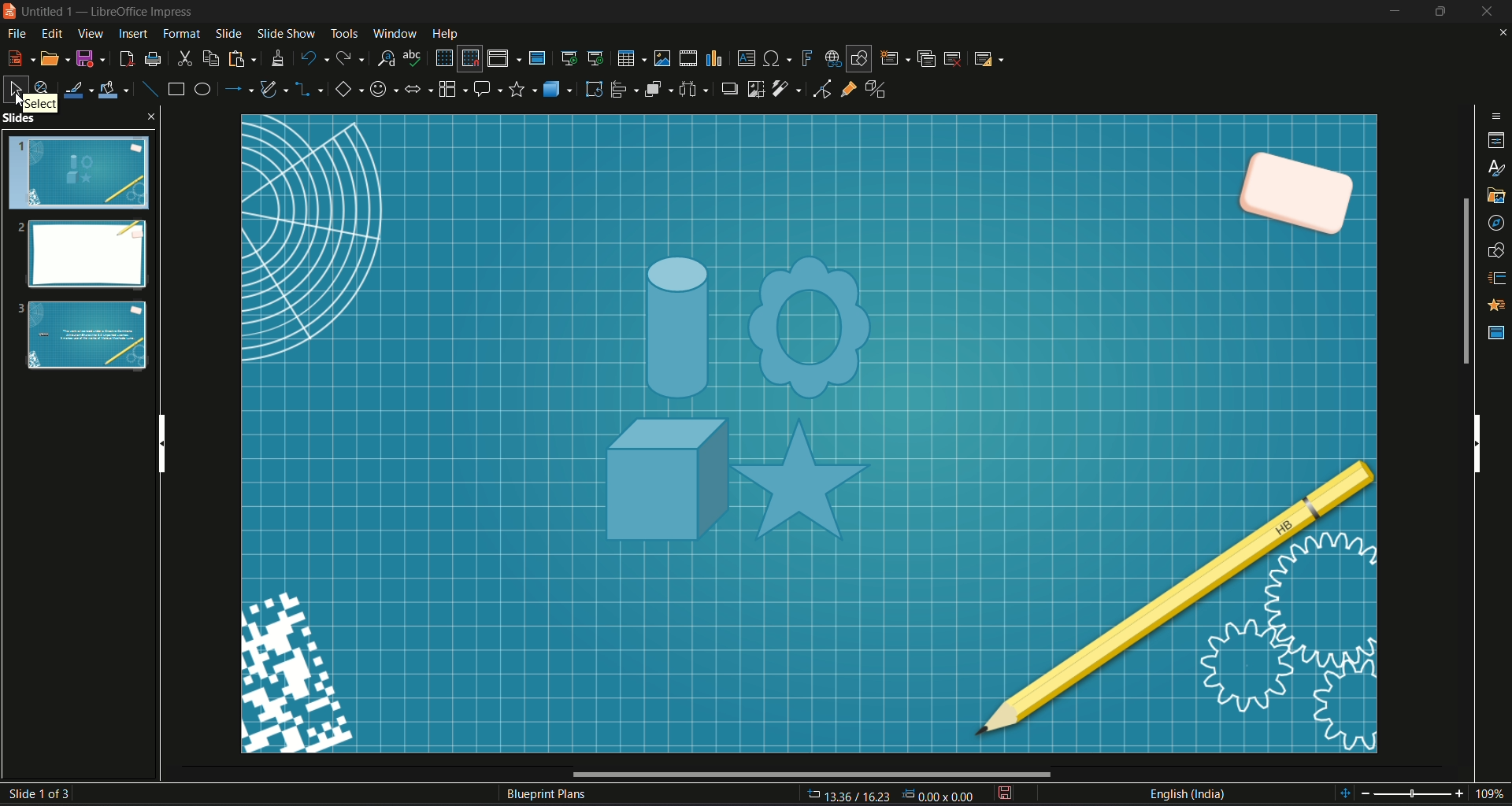 The height and width of the screenshot is (806, 1512). I want to click on gallery, so click(1497, 196).